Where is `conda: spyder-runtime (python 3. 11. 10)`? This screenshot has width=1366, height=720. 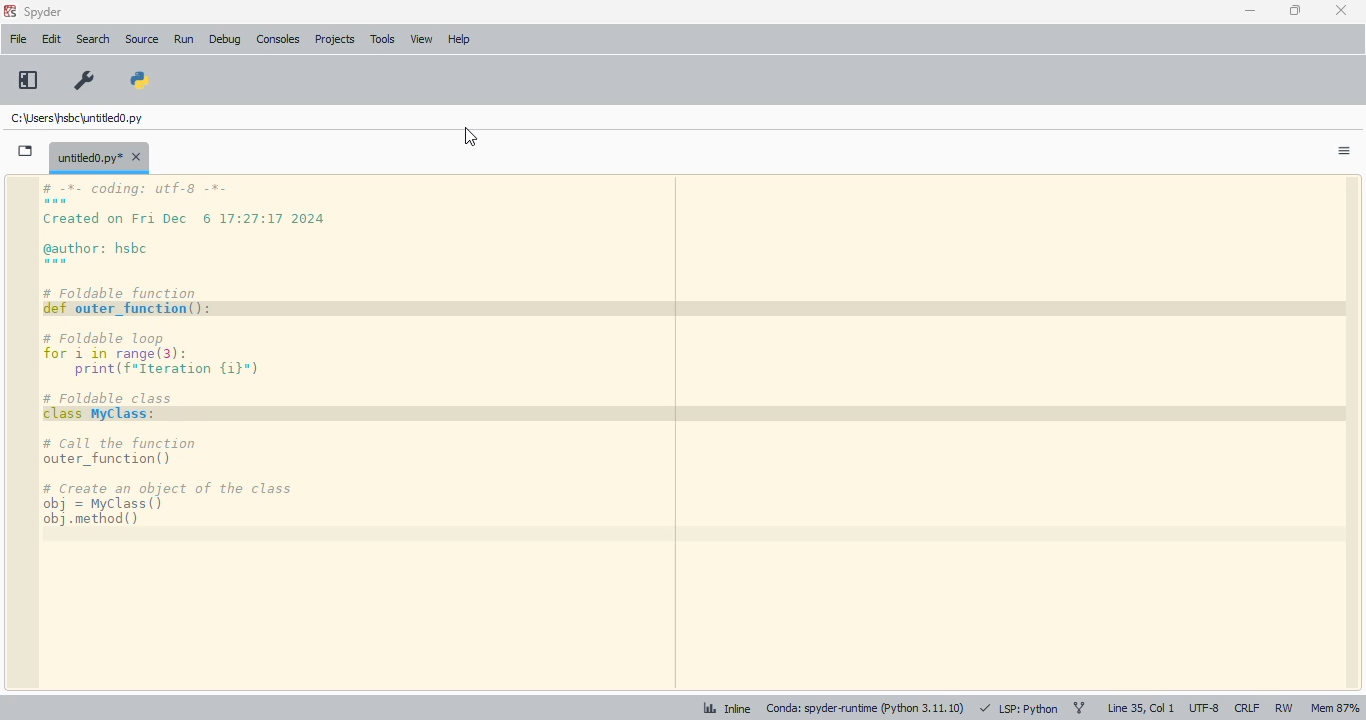
conda: spyder-runtime (python 3. 11. 10) is located at coordinates (865, 707).